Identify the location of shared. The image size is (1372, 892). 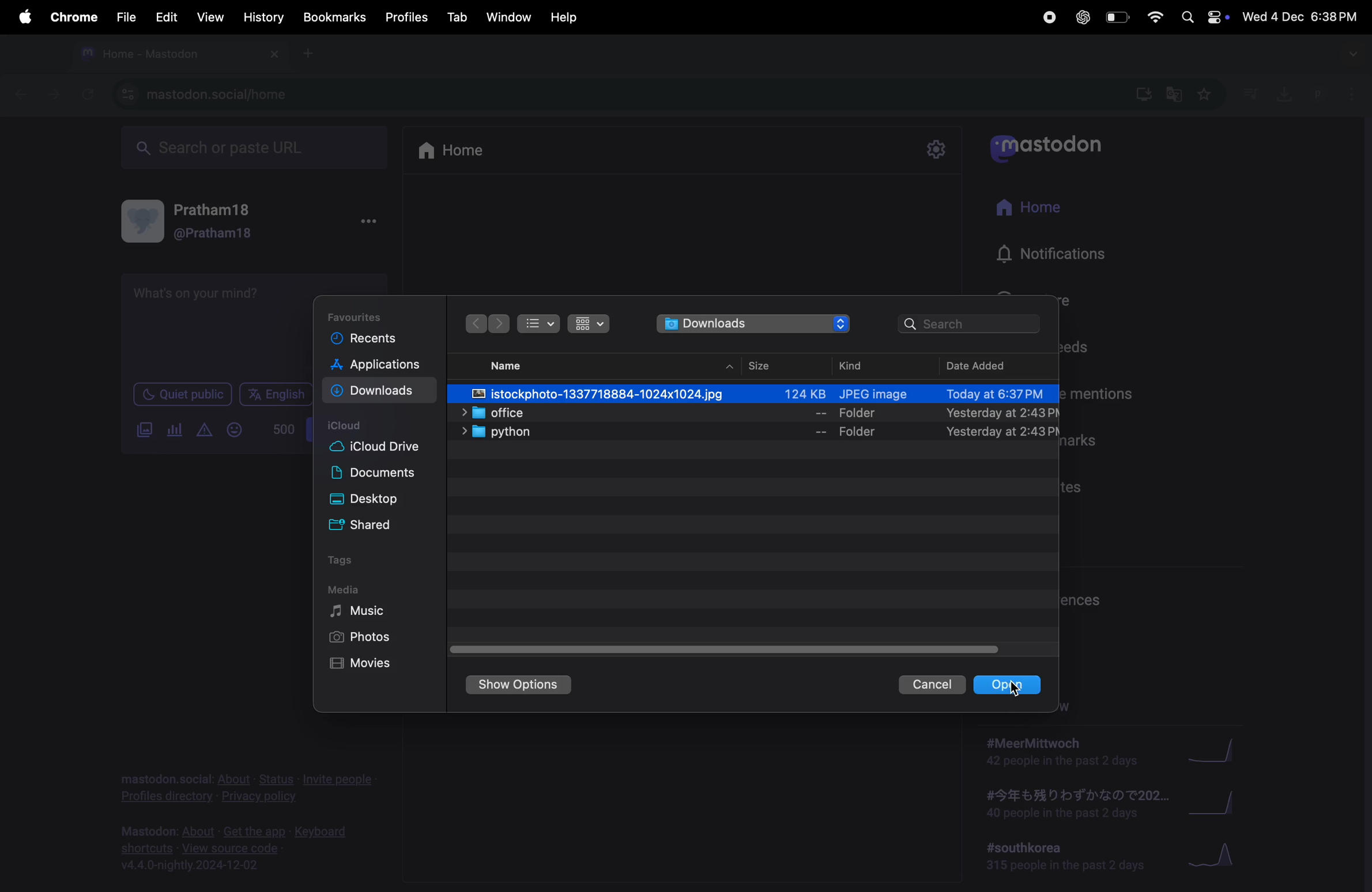
(386, 526).